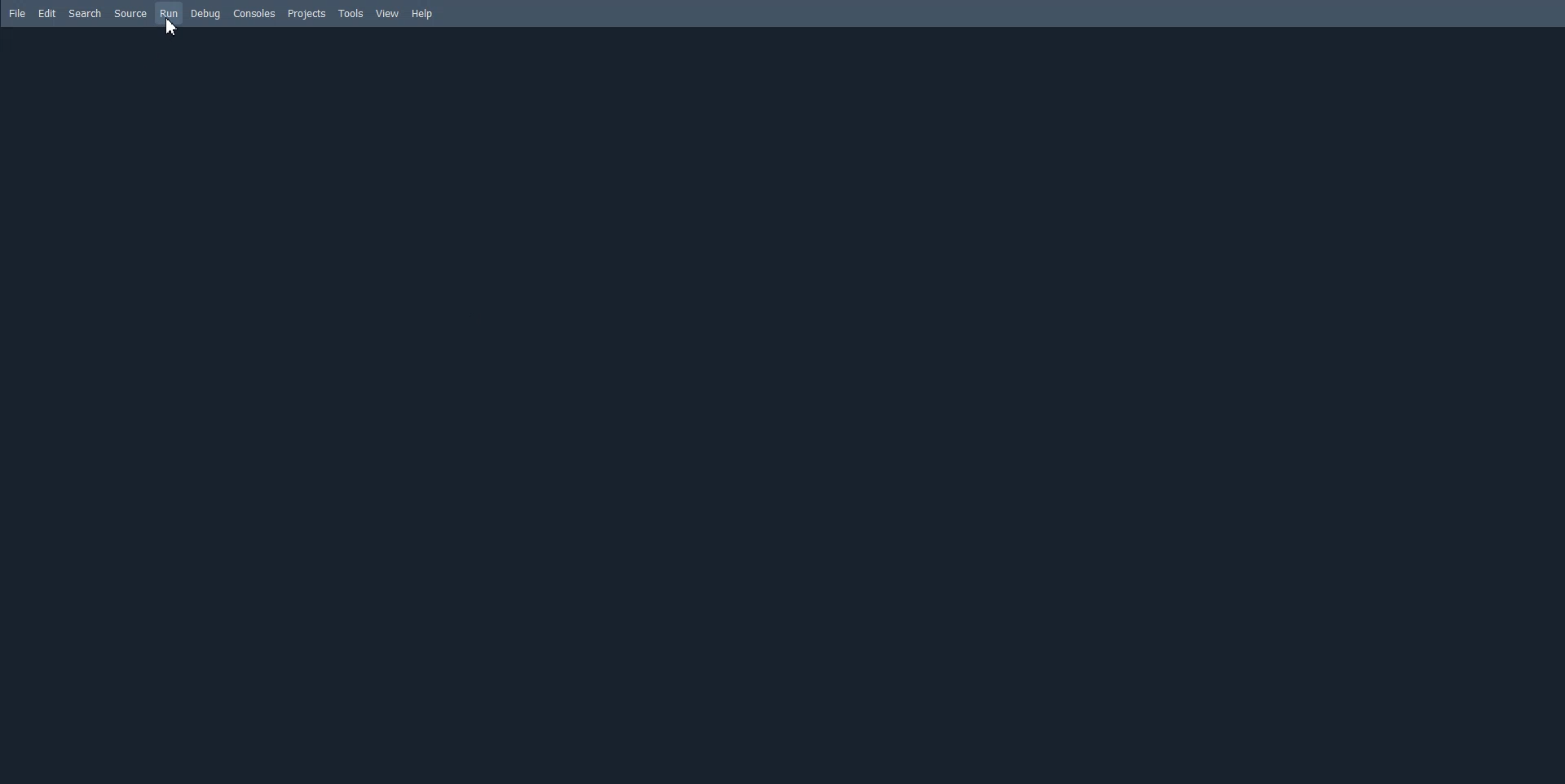 The image size is (1565, 784). Describe the element at coordinates (254, 13) in the screenshot. I see `Consoles` at that location.